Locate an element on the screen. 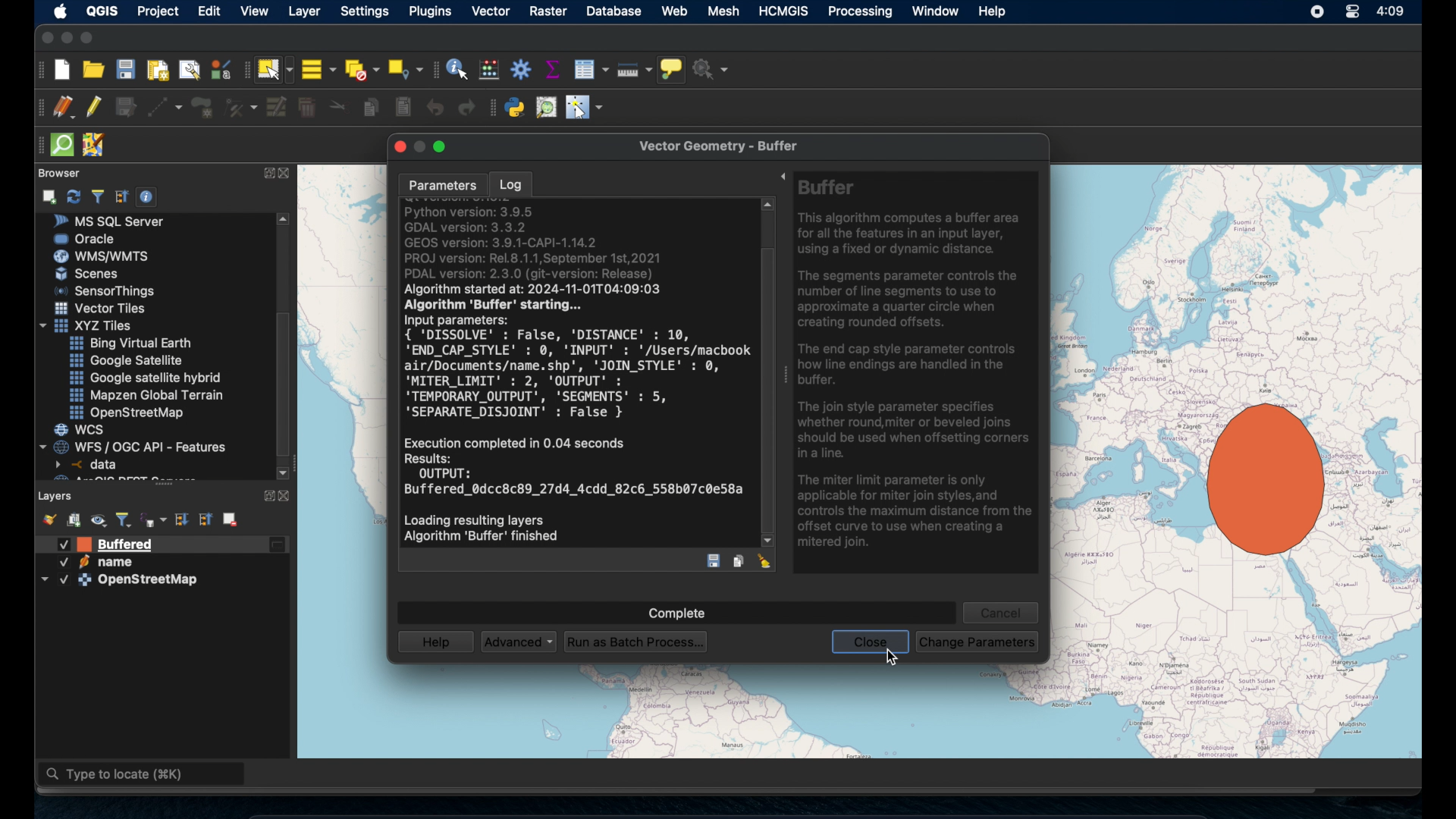  scroll down arrow is located at coordinates (283, 471).